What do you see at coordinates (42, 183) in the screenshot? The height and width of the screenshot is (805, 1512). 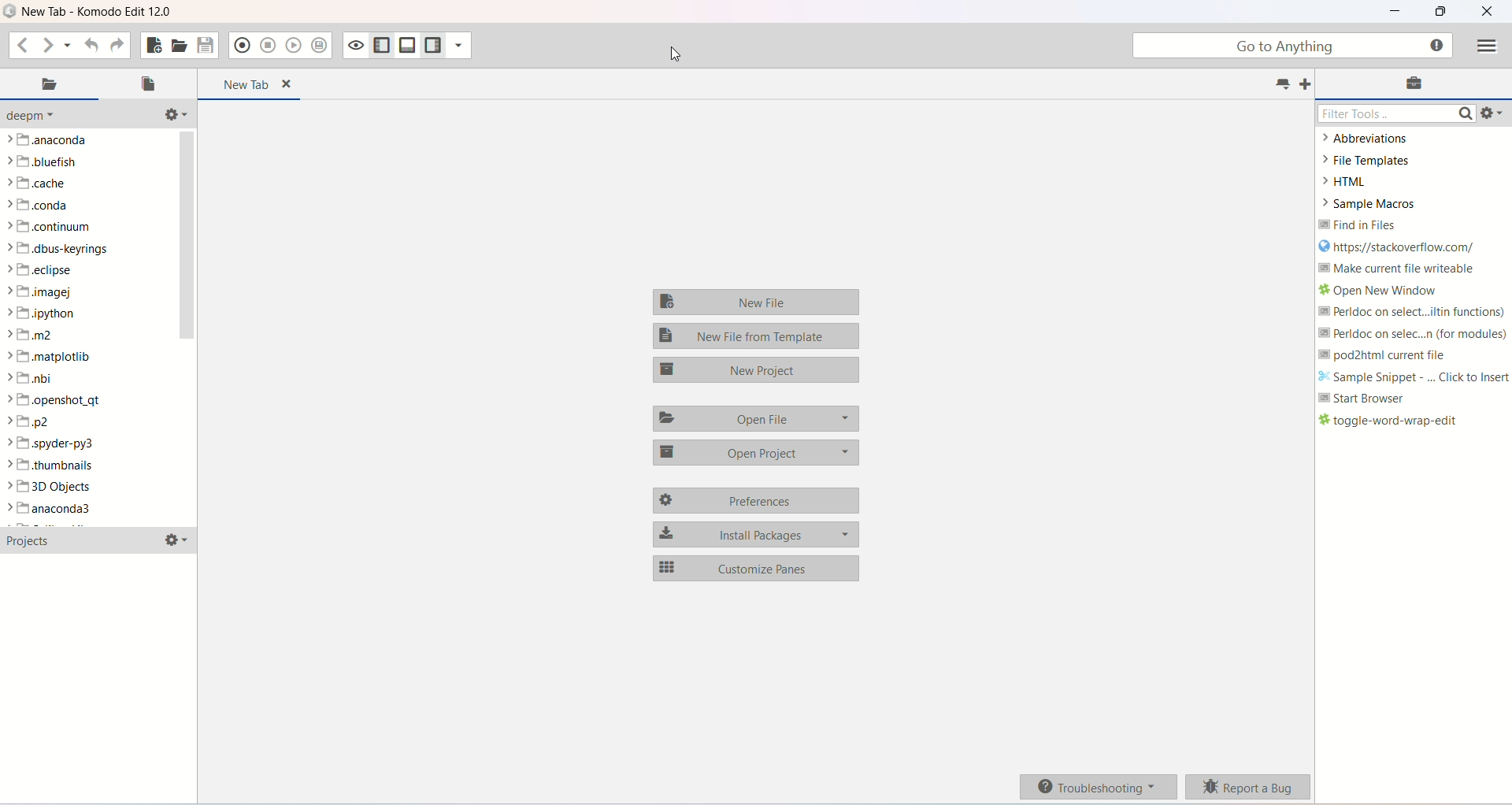 I see `cache` at bounding box center [42, 183].